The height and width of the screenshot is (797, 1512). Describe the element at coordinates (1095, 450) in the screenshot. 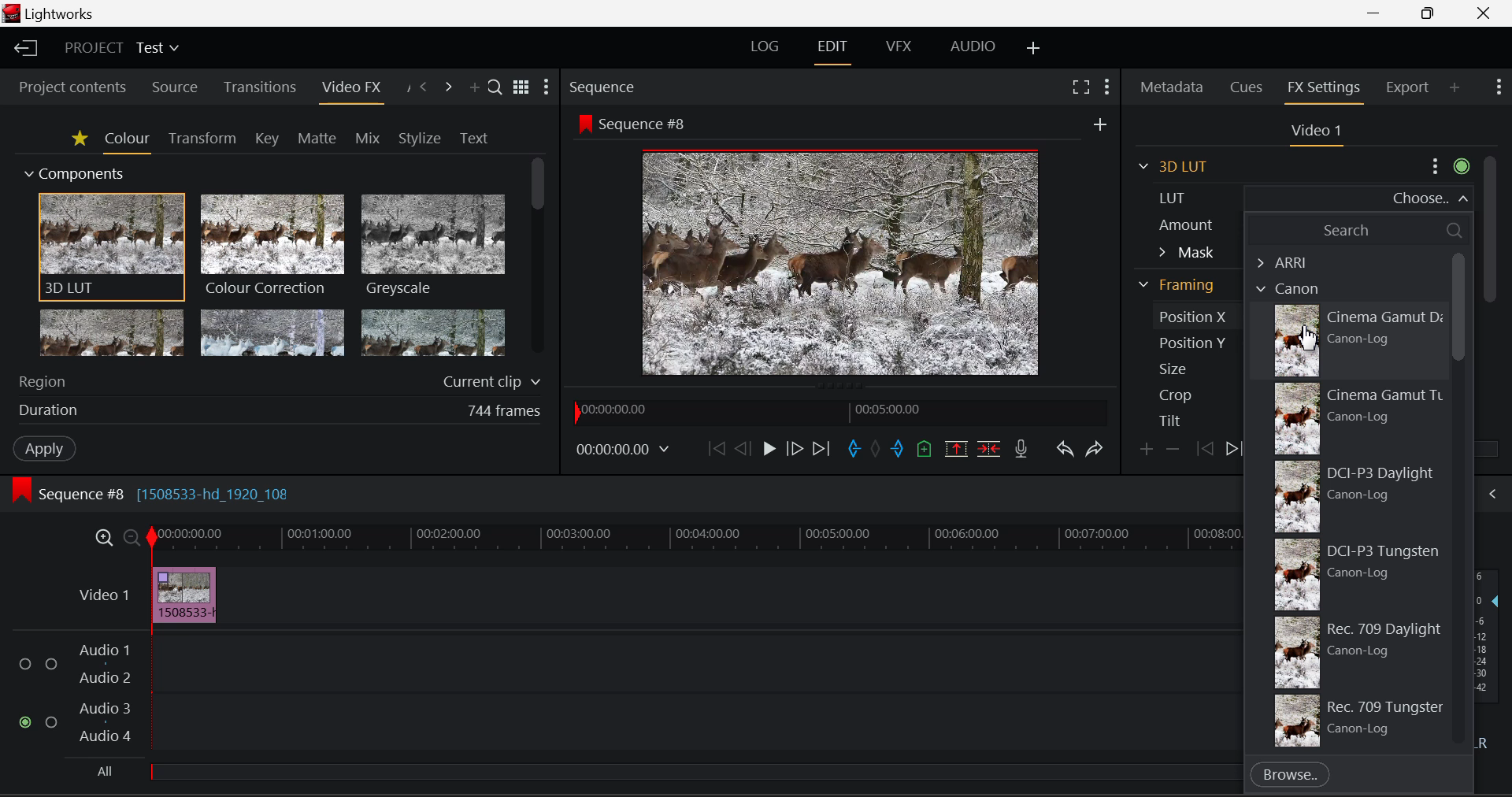

I see `Redo` at that location.